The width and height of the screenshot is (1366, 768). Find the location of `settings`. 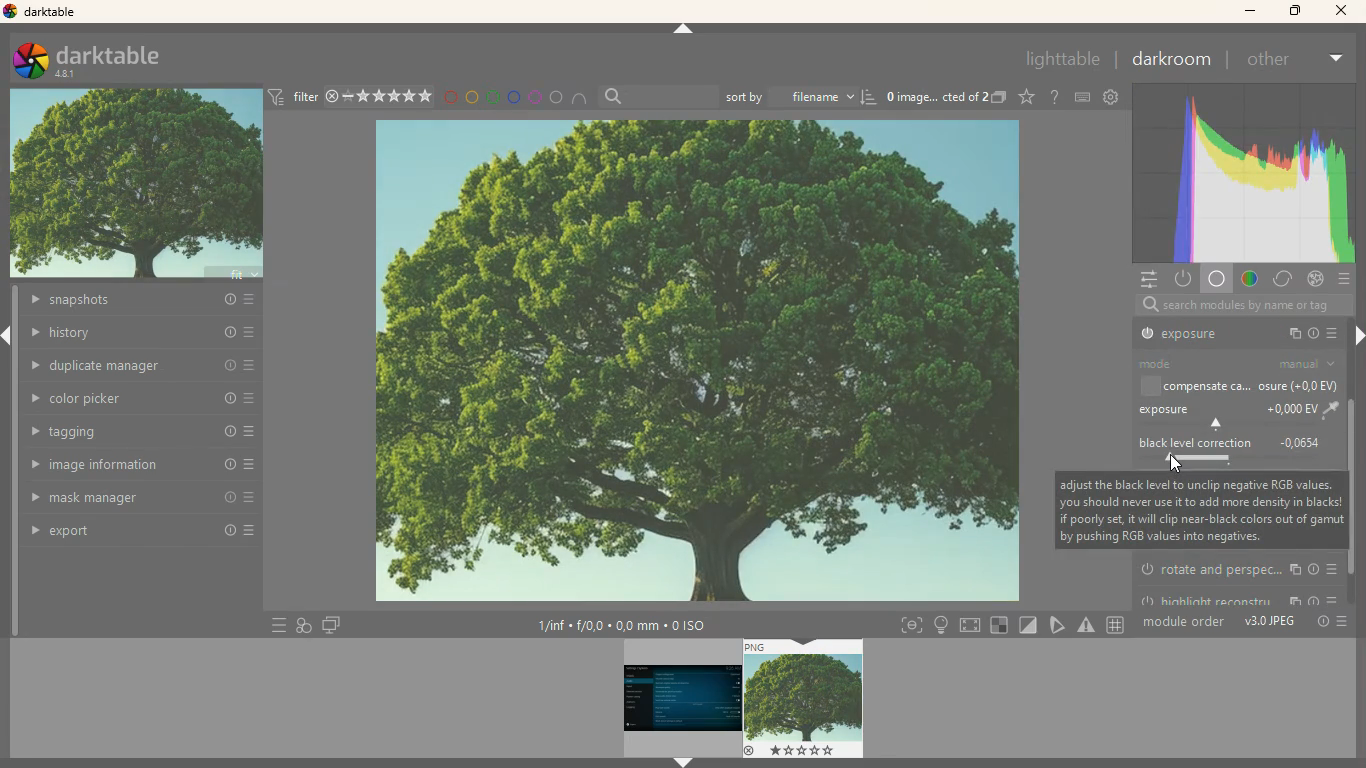

settings is located at coordinates (1110, 97).